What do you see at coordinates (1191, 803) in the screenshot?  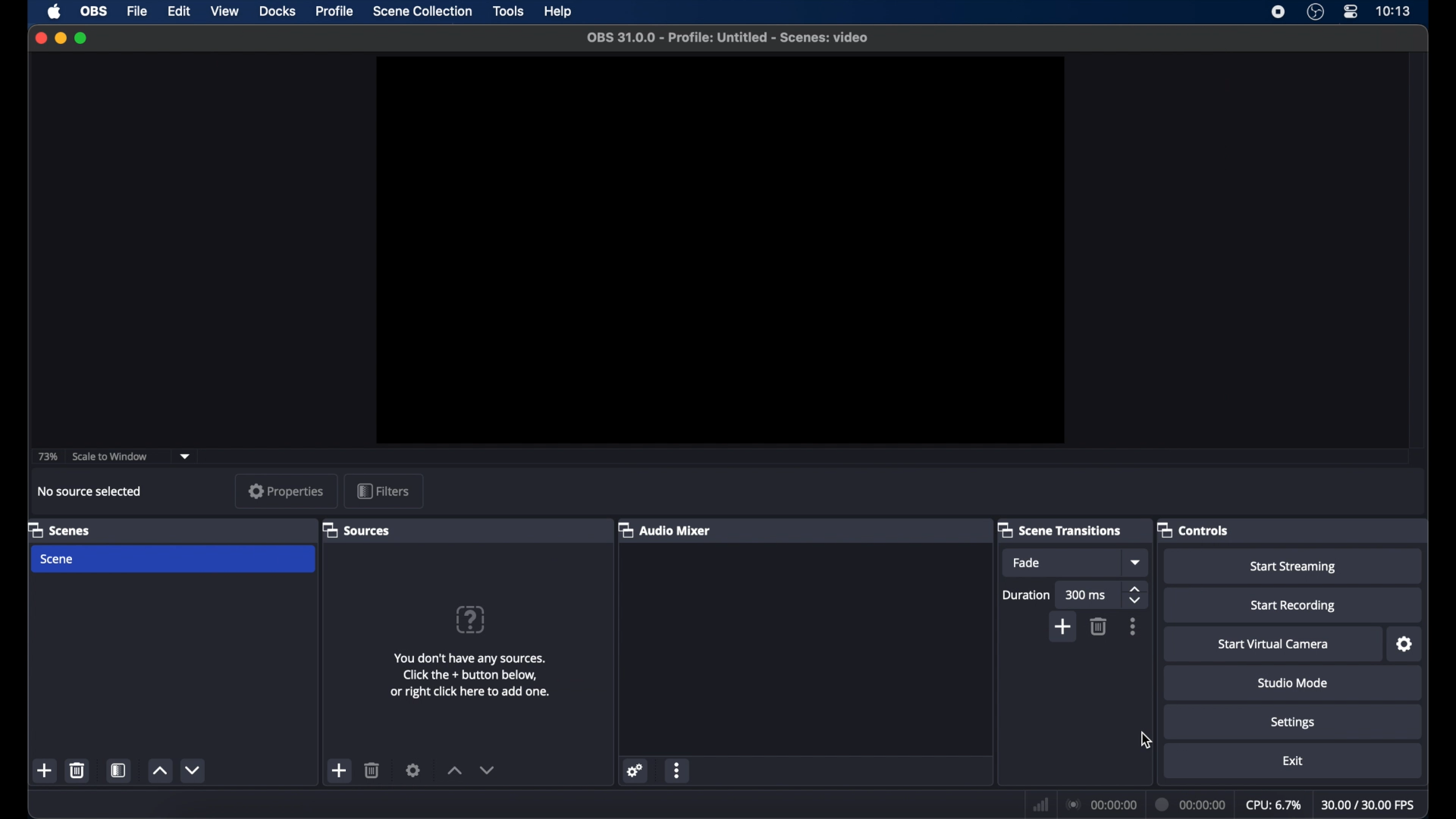 I see `duration` at bounding box center [1191, 803].